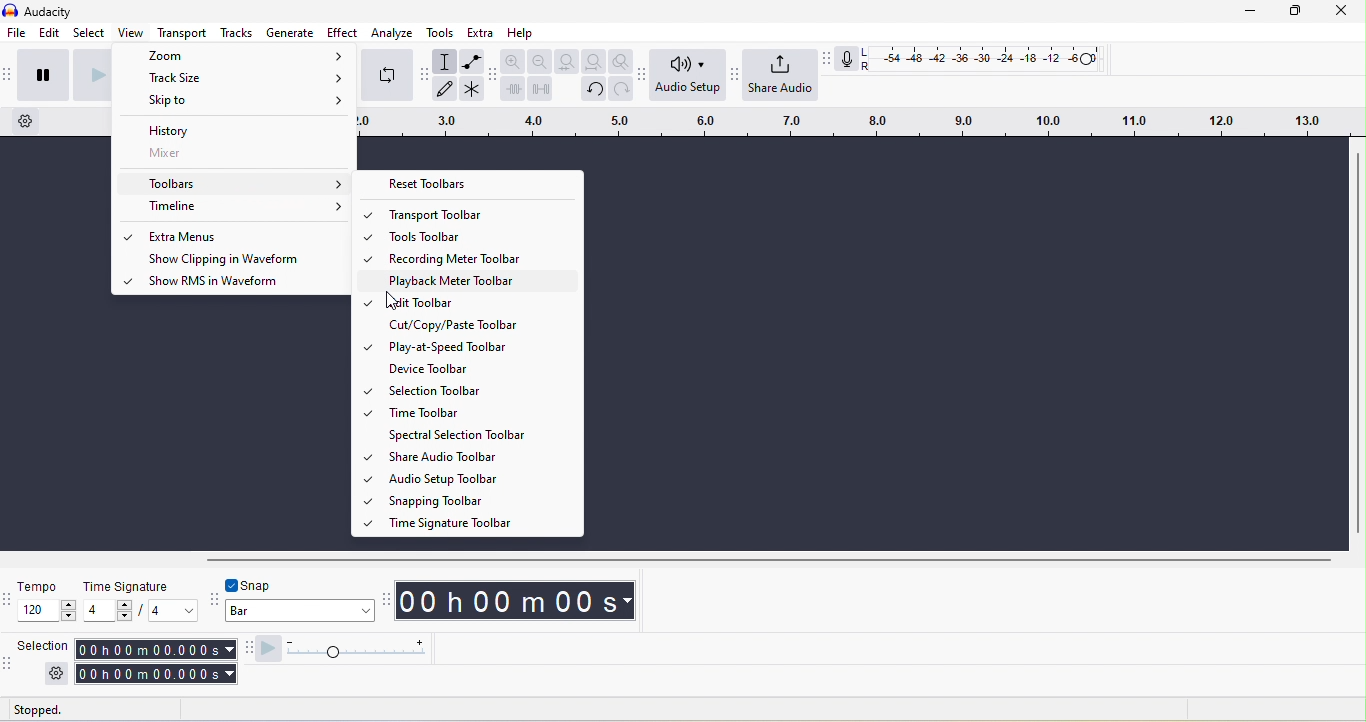 This screenshot has width=1366, height=722. Describe the element at coordinates (444, 61) in the screenshot. I see `selection tool` at that location.